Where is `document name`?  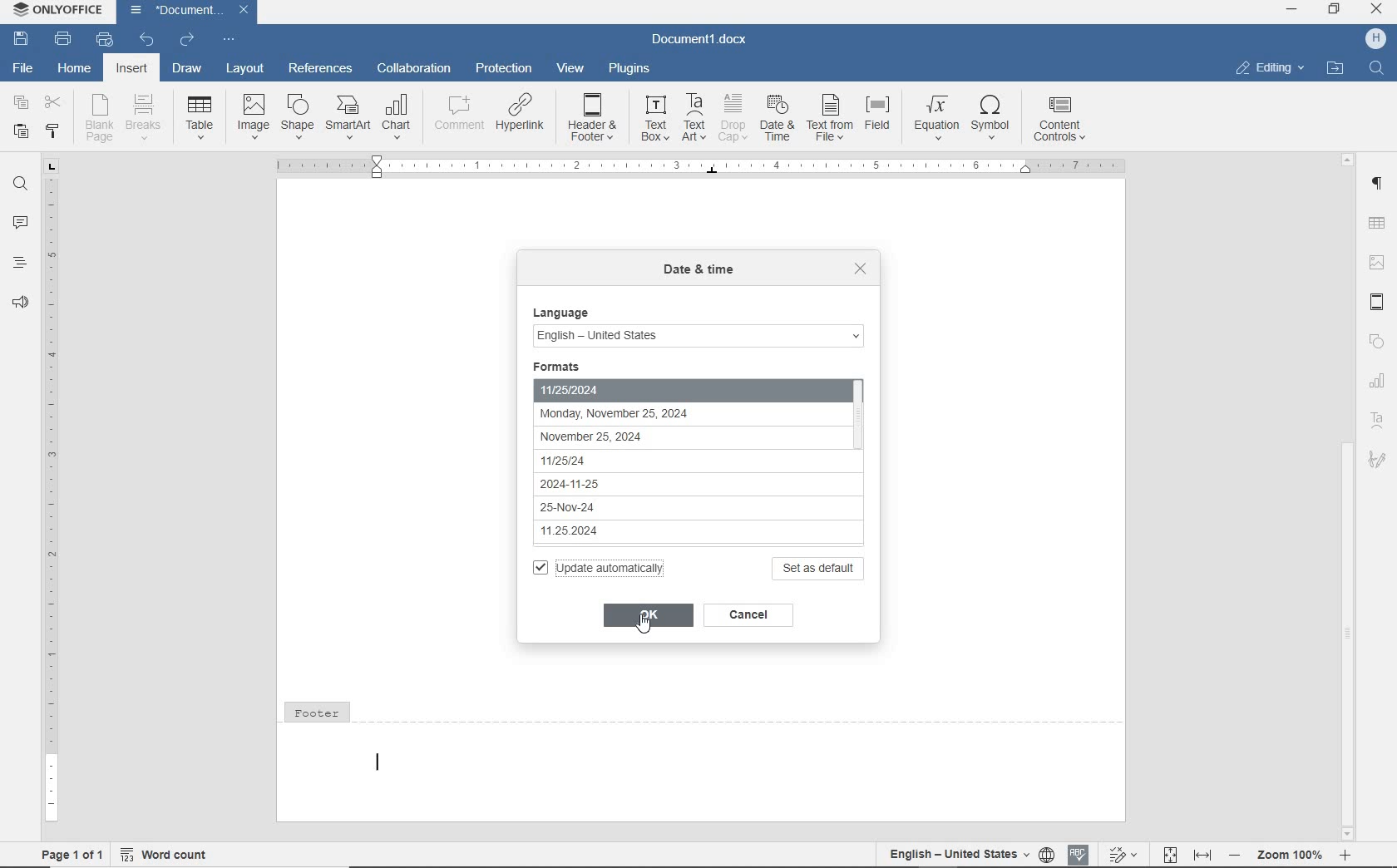 document name is located at coordinates (701, 39).